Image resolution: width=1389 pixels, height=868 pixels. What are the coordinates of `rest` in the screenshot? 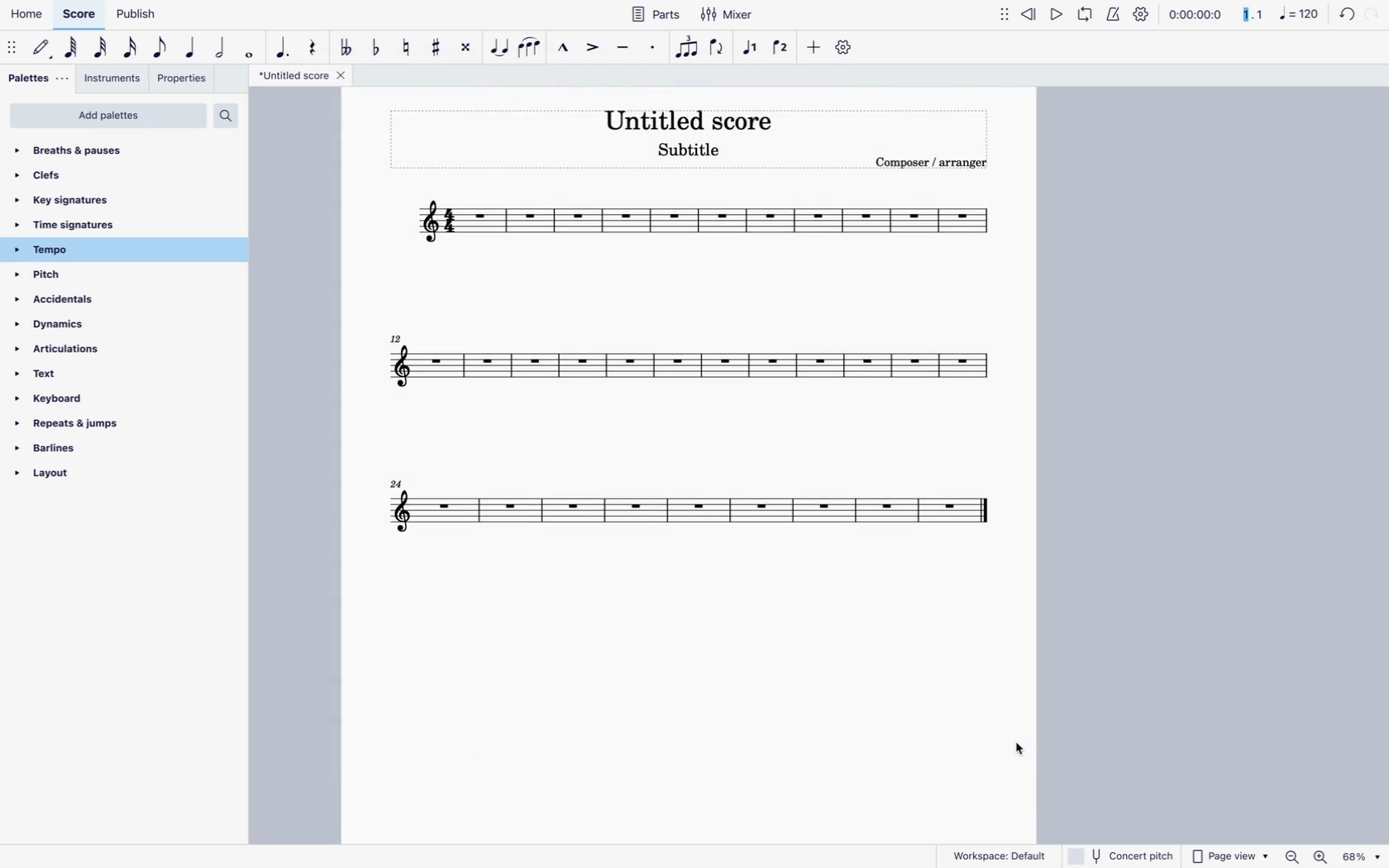 It's located at (316, 48).